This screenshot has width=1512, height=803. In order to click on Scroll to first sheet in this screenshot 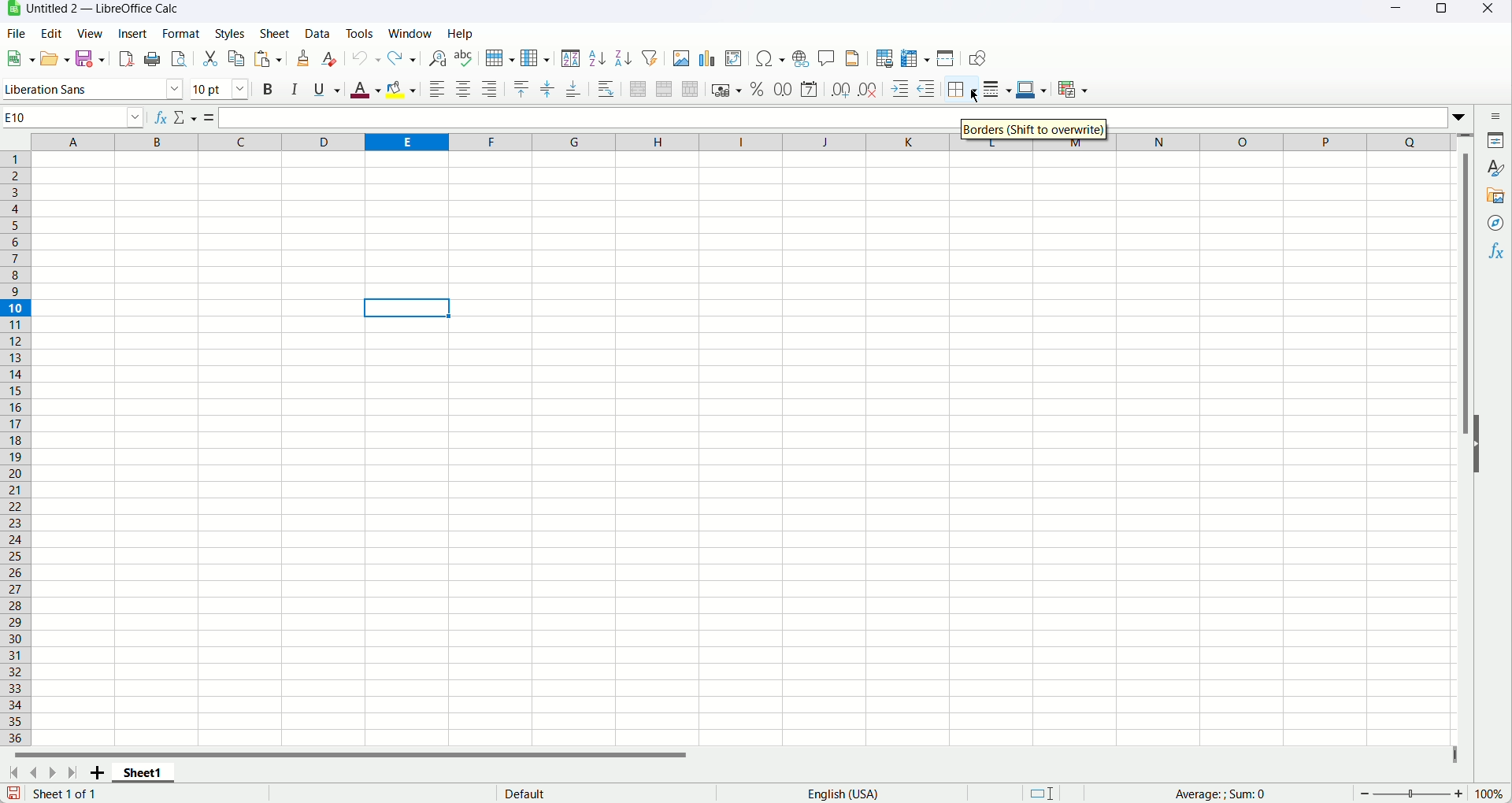, I will do `click(13, 774)`.